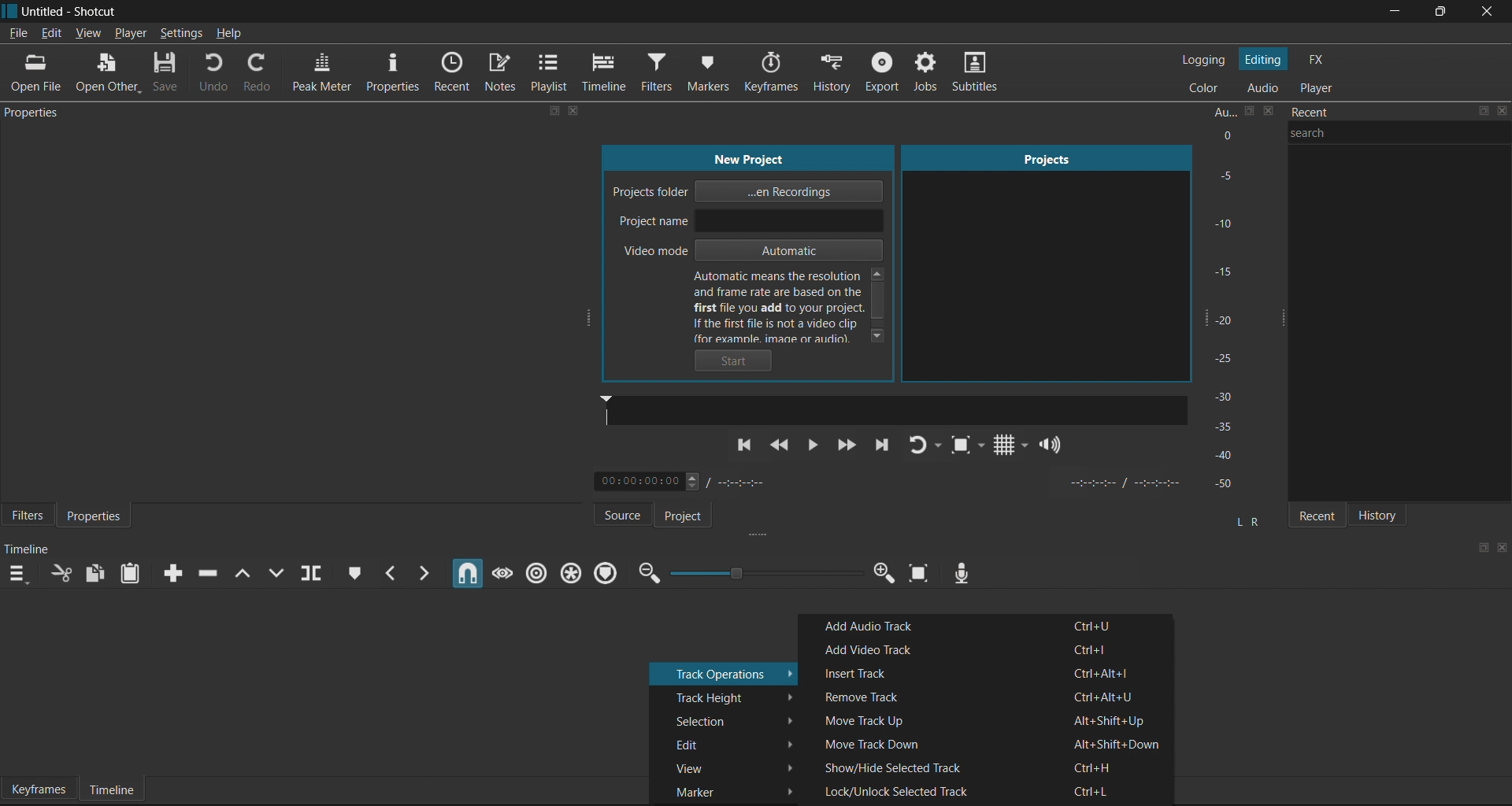 This screenshot has width=1512, height=806. What do you see at coordinates (39, 73) in the screenshot?
I see `Open File` at bounding box center [39, 73].